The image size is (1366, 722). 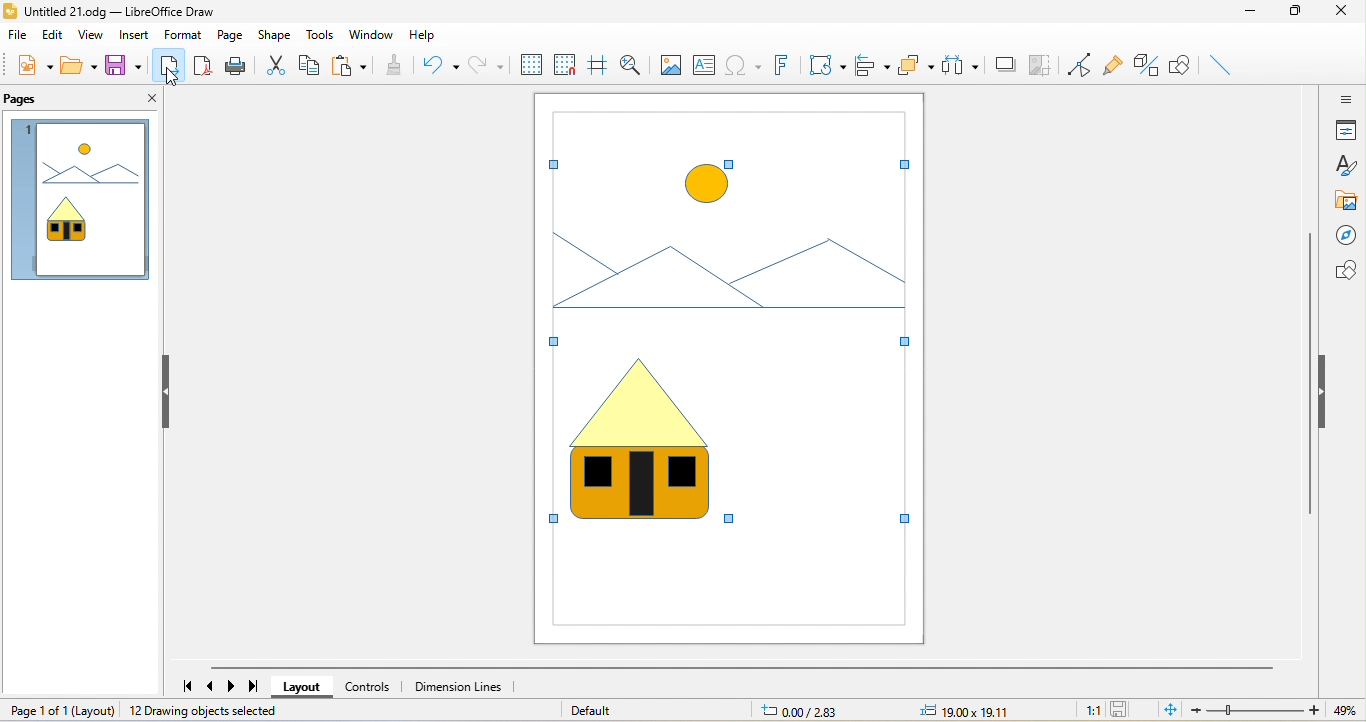 What do you see at coordinates (397, 66) in the screenshot?
I see `clone` at bounding box center [397, 66].